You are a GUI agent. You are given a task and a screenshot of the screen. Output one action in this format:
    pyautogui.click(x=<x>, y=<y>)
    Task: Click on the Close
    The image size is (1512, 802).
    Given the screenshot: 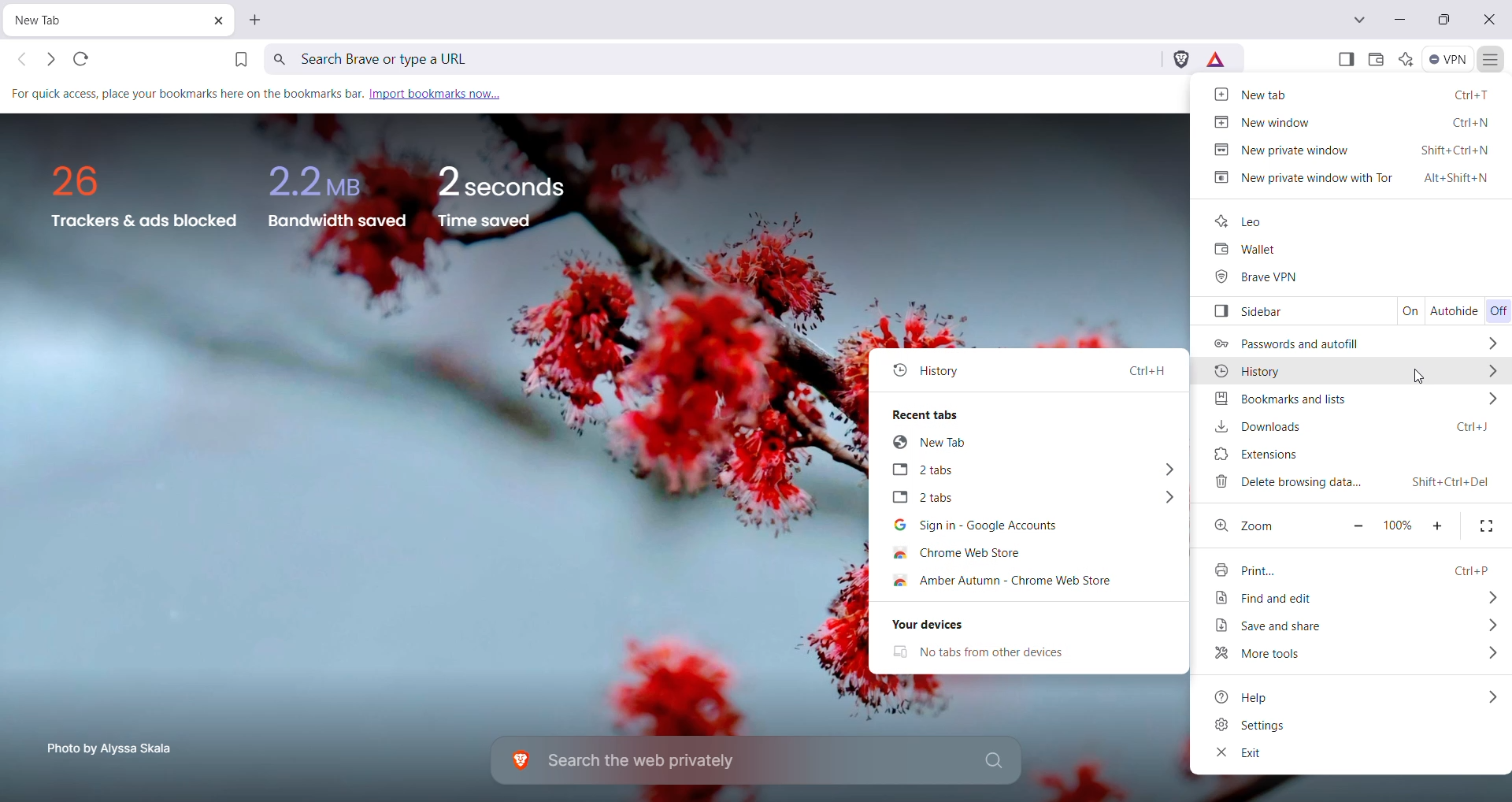 What is the action you would take?
    pyautogui.click(x=1491, y=21)
    